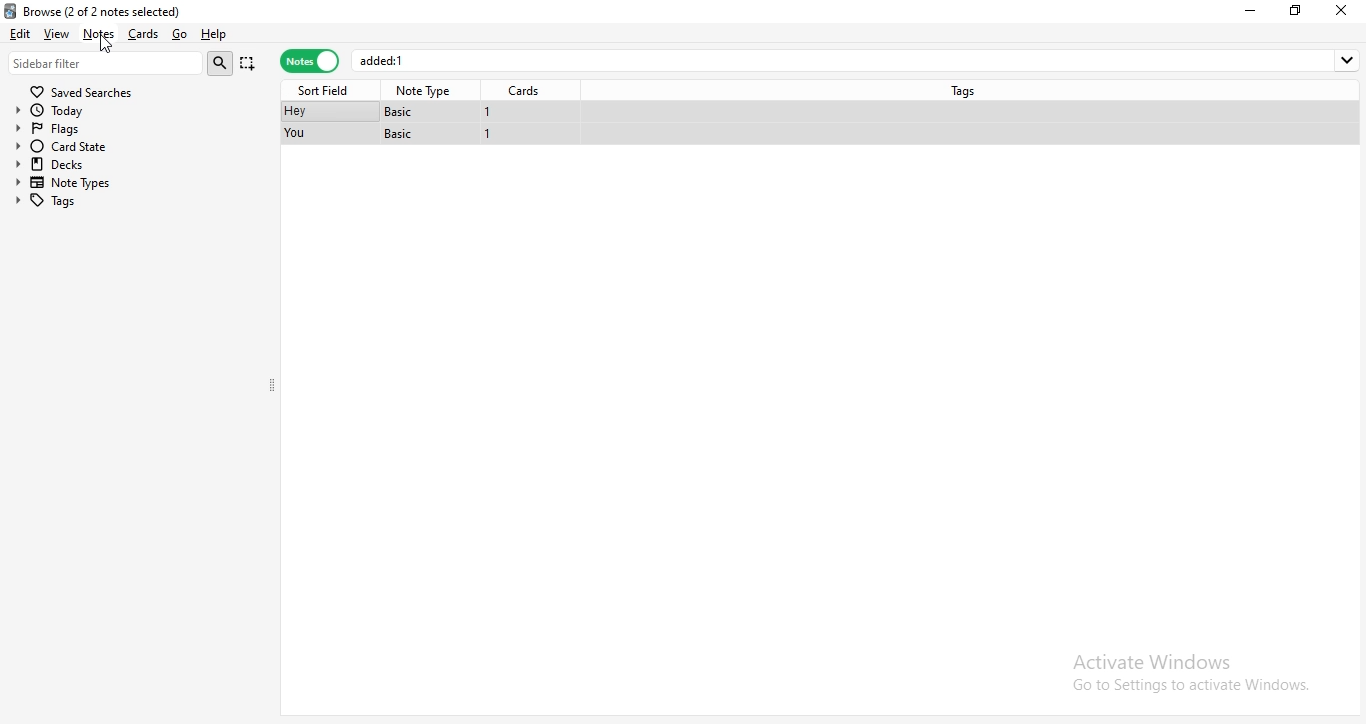  Describe the element at coordinates (98, 34) in the screenshot. I see `notes` at that location.